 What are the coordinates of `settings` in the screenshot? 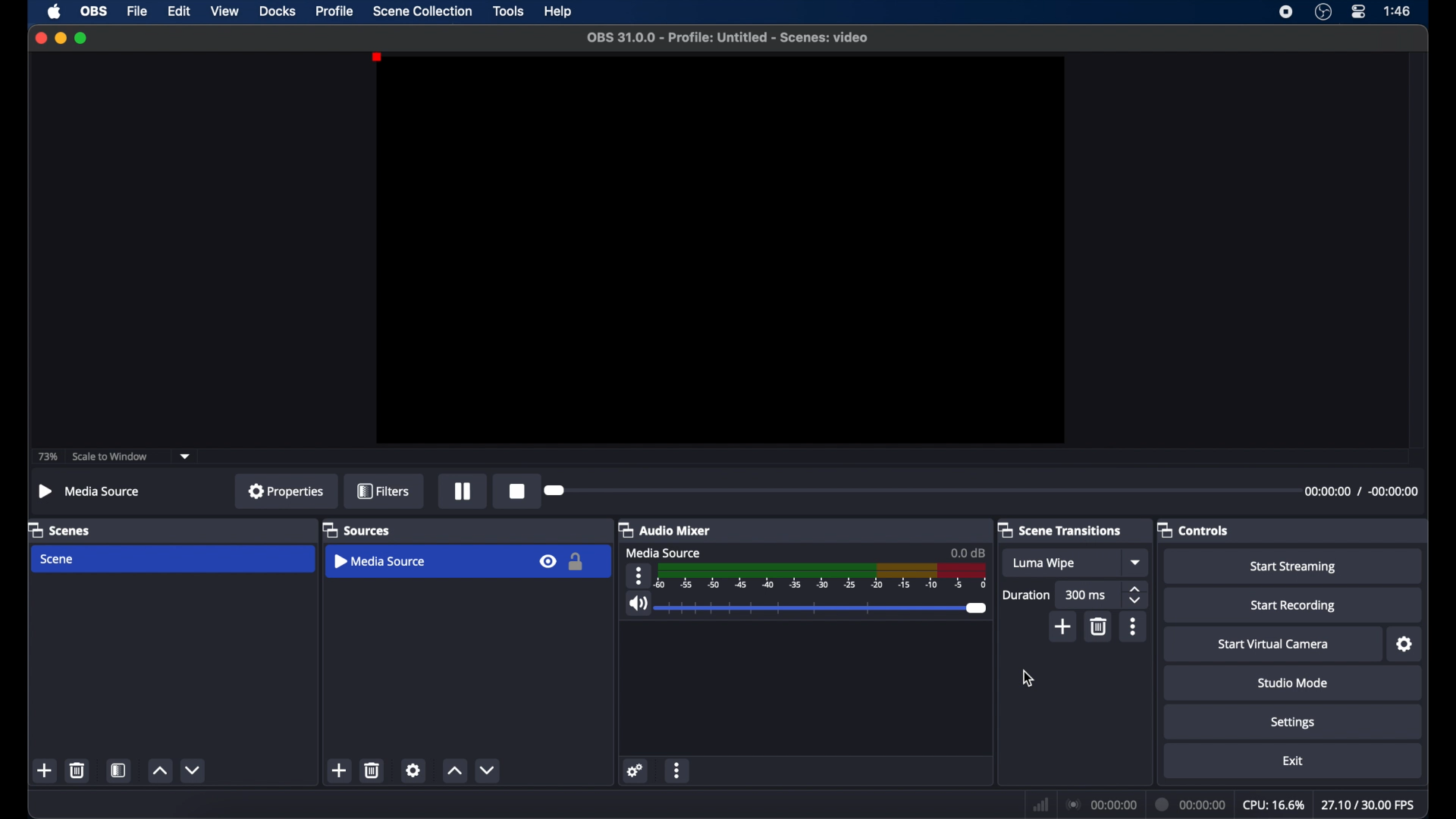 It's located at (636, 770).